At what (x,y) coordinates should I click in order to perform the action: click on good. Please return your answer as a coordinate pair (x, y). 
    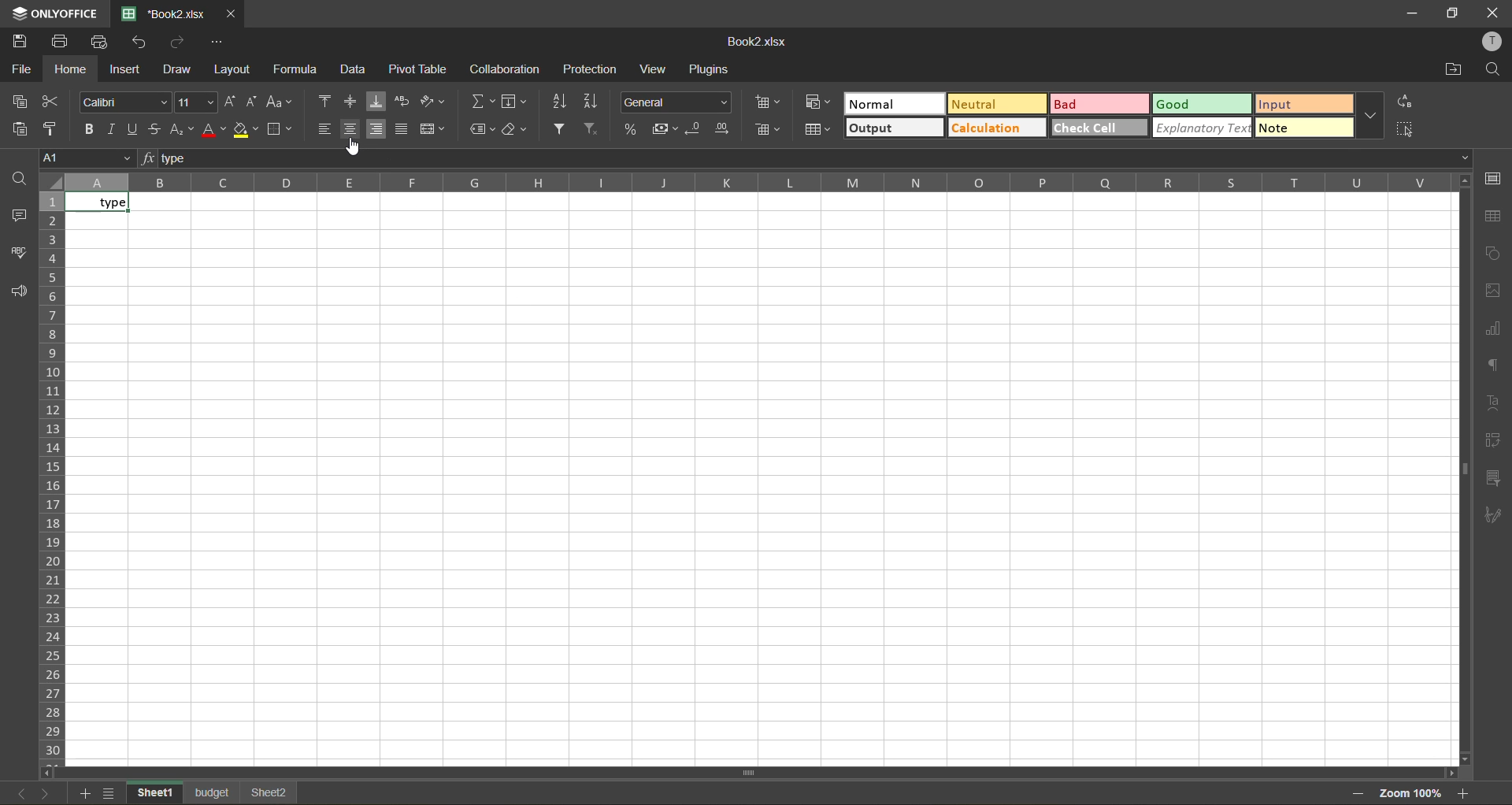
    Looking at the image, I should click on (1206, 106).